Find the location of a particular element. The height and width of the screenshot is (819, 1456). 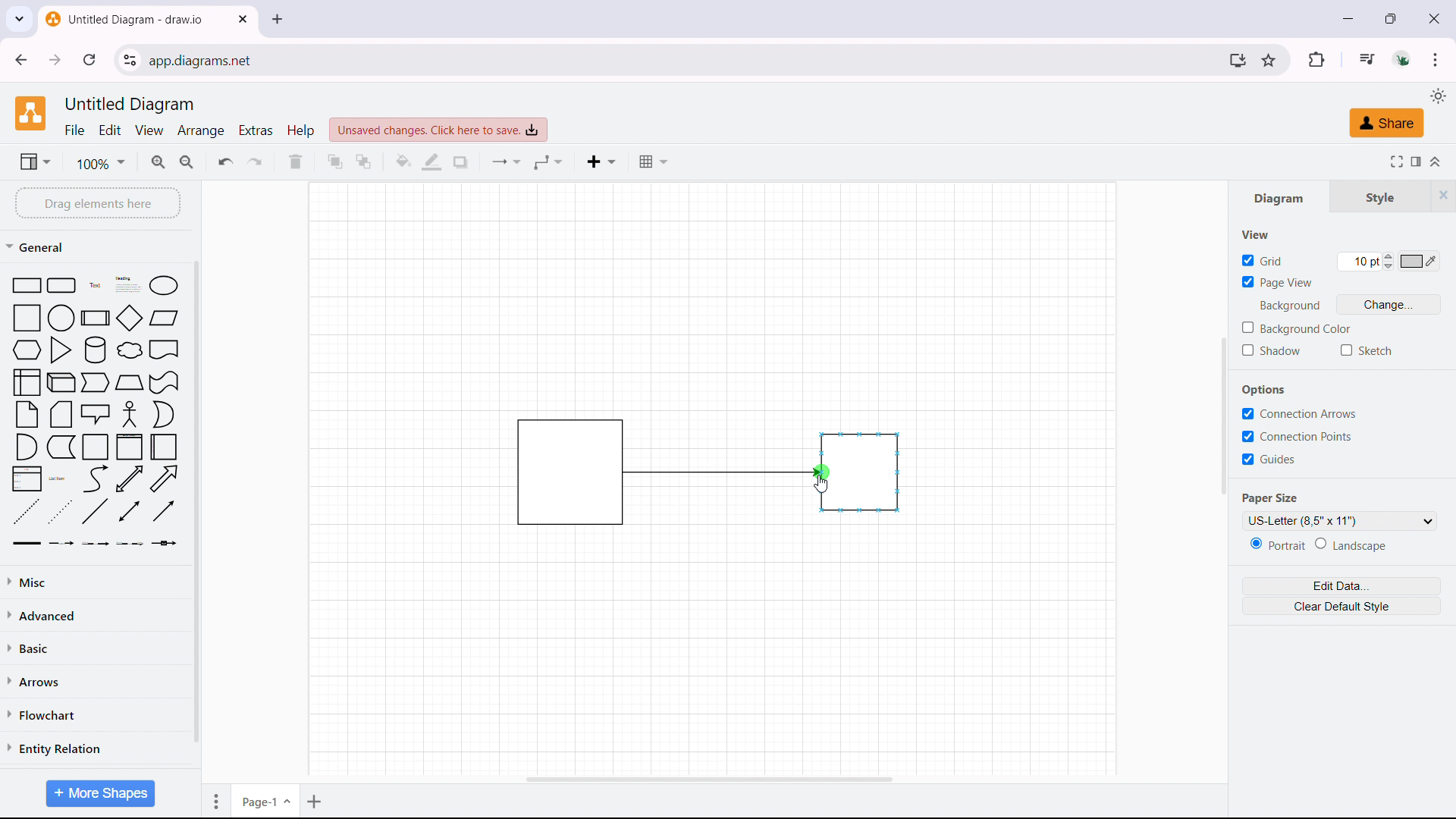

move is located at coordinates (213, 800).